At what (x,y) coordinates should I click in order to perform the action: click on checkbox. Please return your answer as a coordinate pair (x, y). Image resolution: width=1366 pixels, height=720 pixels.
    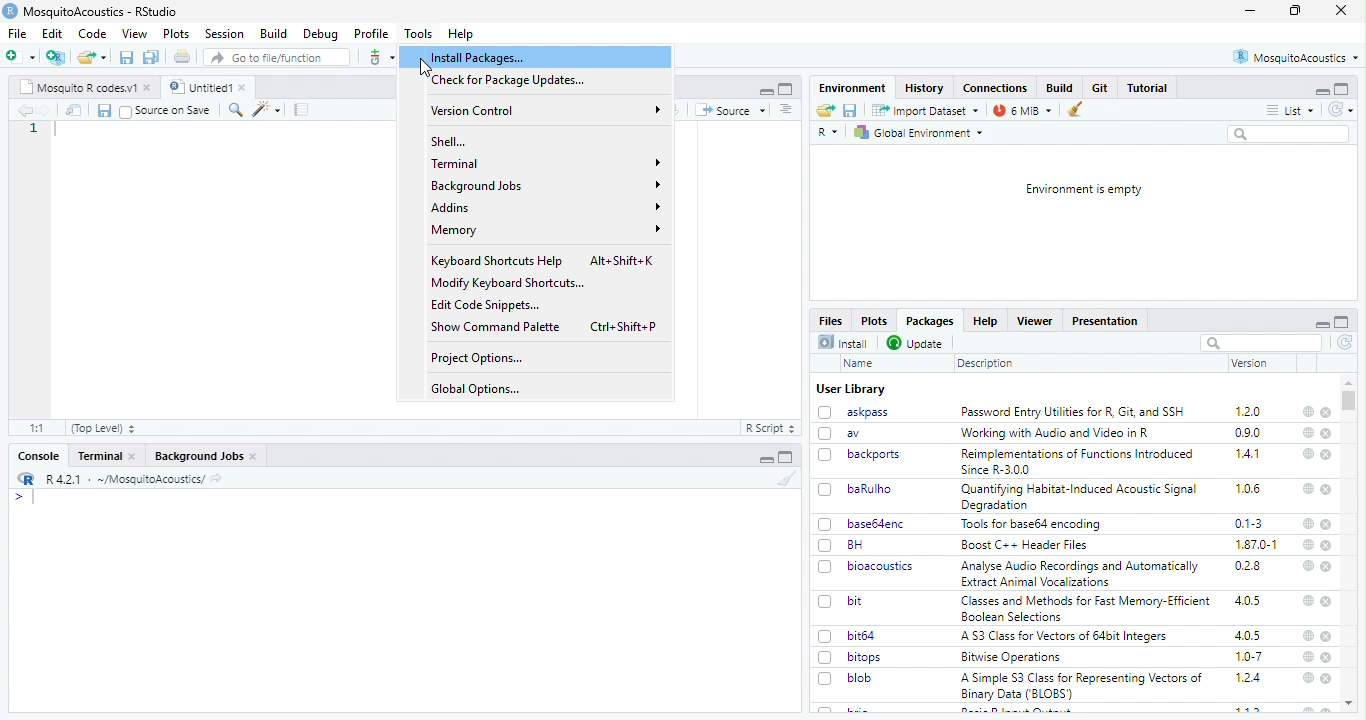
    Looking at the image, I should click on (126, 112).